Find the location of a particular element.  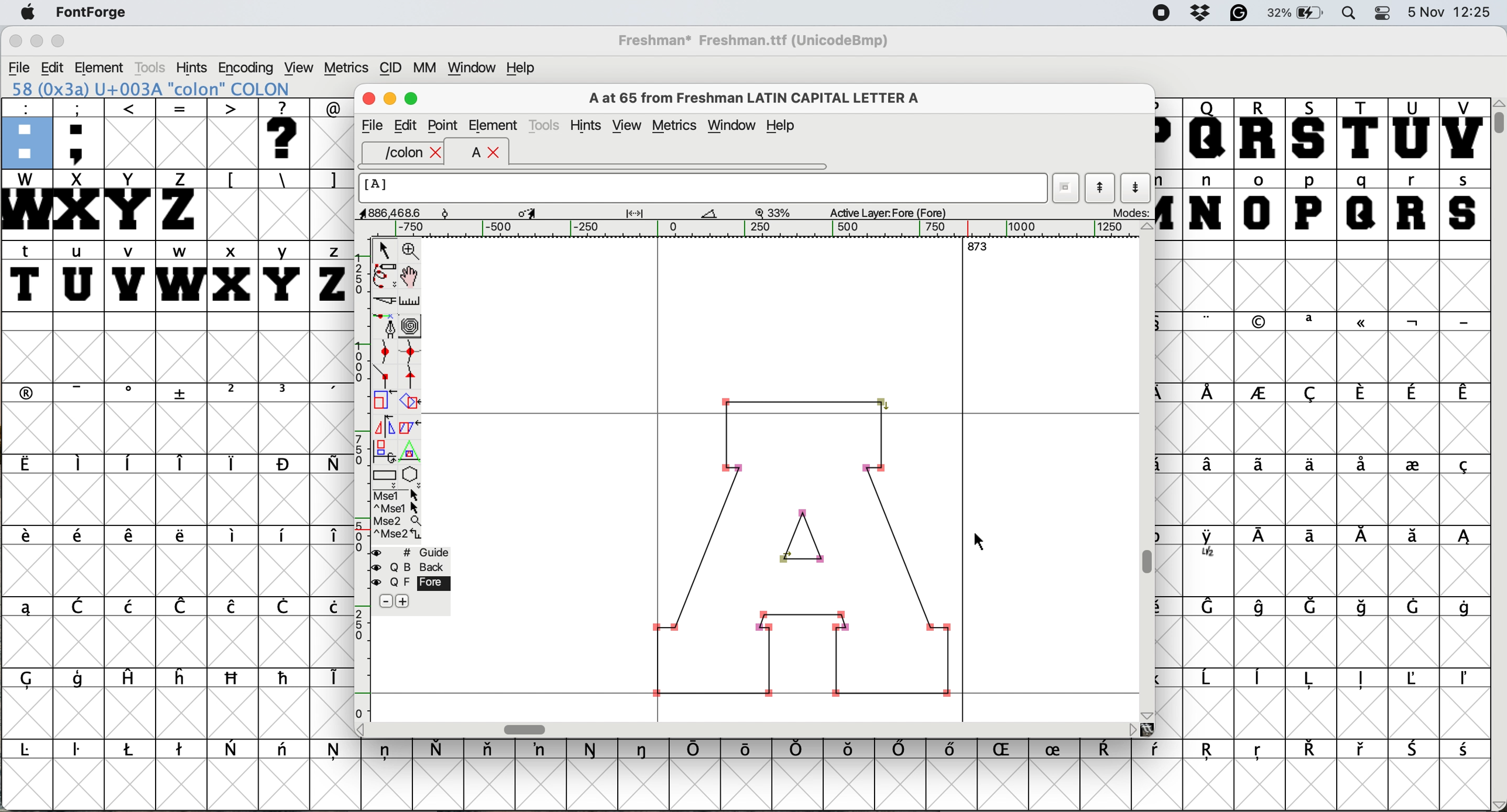

symbol is located at coordinates (287, 536).